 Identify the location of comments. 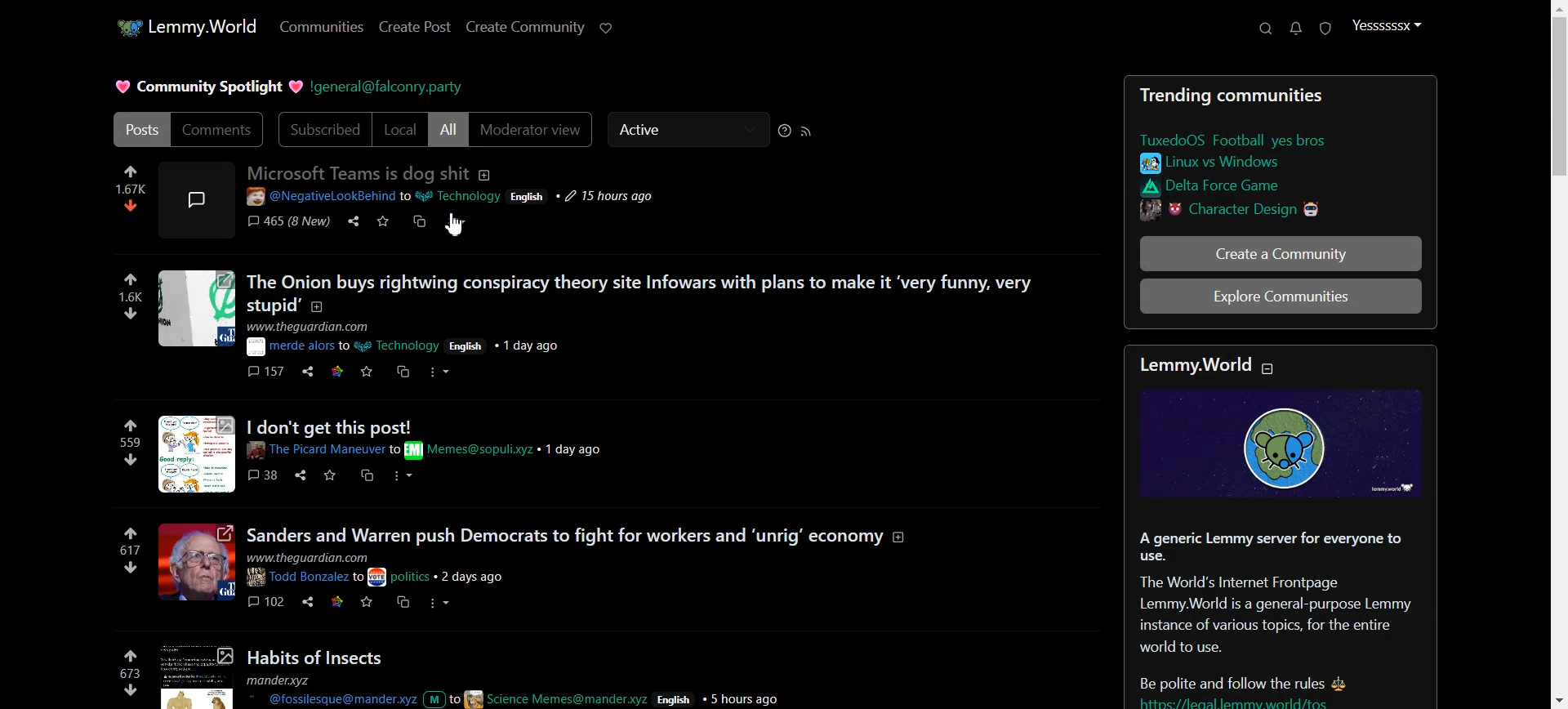
(266, 475).